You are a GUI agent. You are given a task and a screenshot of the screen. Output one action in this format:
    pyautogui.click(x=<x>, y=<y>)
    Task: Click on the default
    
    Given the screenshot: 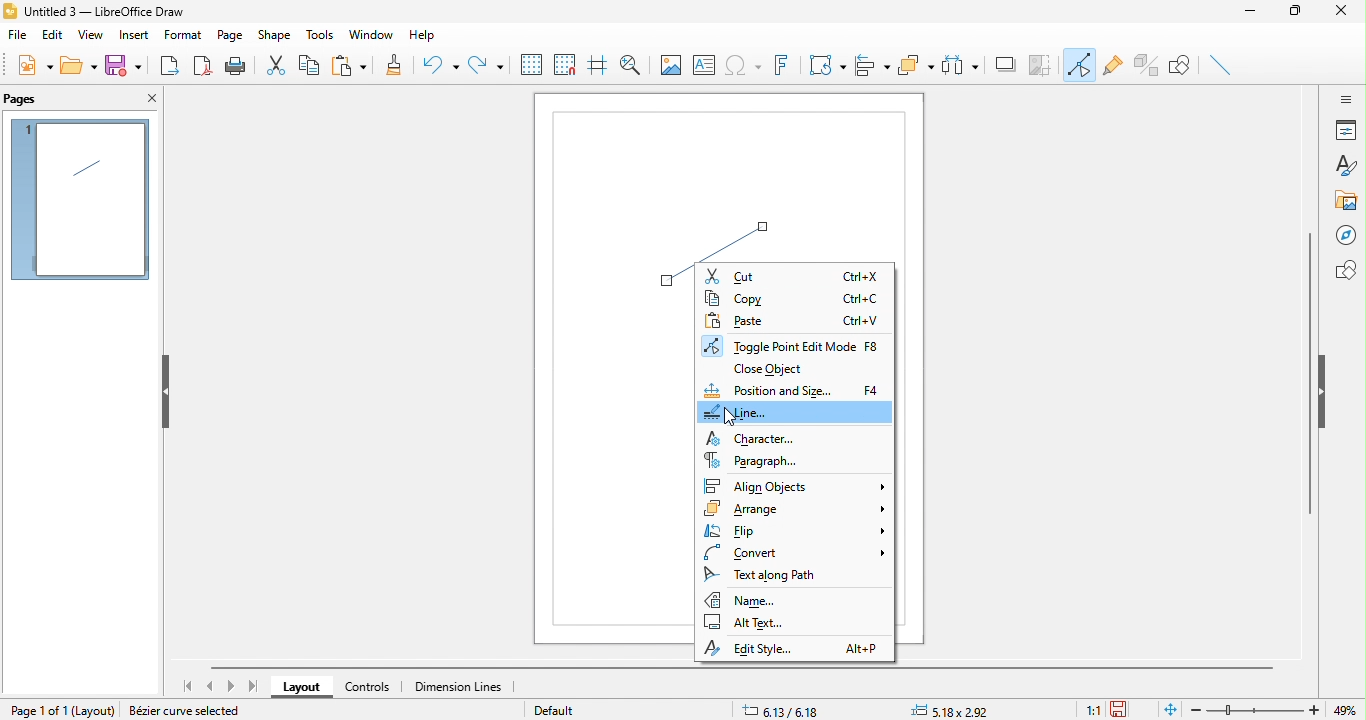 What is the action you would take?
    pyautogui.click(x=578, y=711)
    